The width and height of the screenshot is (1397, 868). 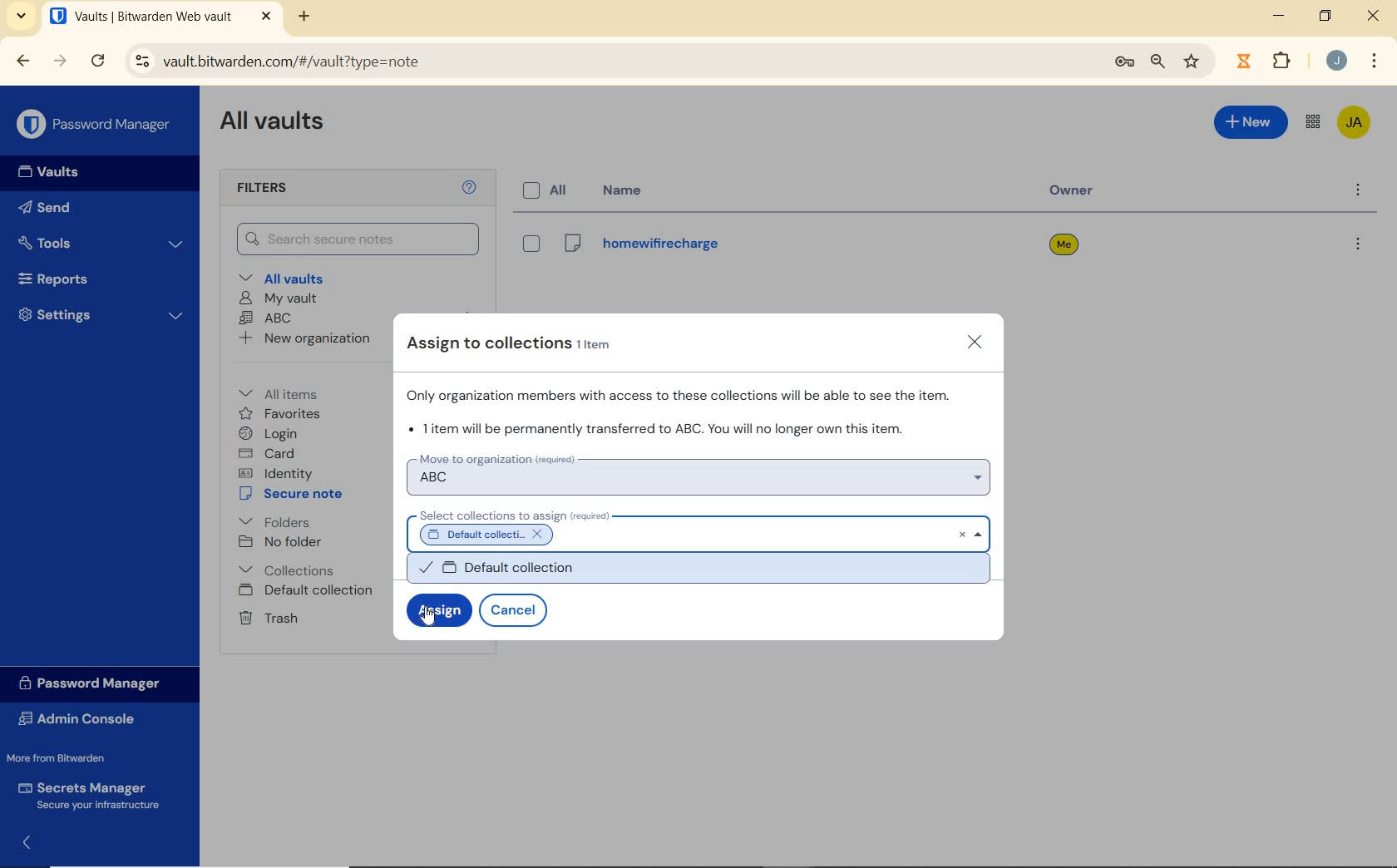 What do you see at coordinates (23, 62) in the screenshot?
I see `backward` at bounding box center [23, 62].